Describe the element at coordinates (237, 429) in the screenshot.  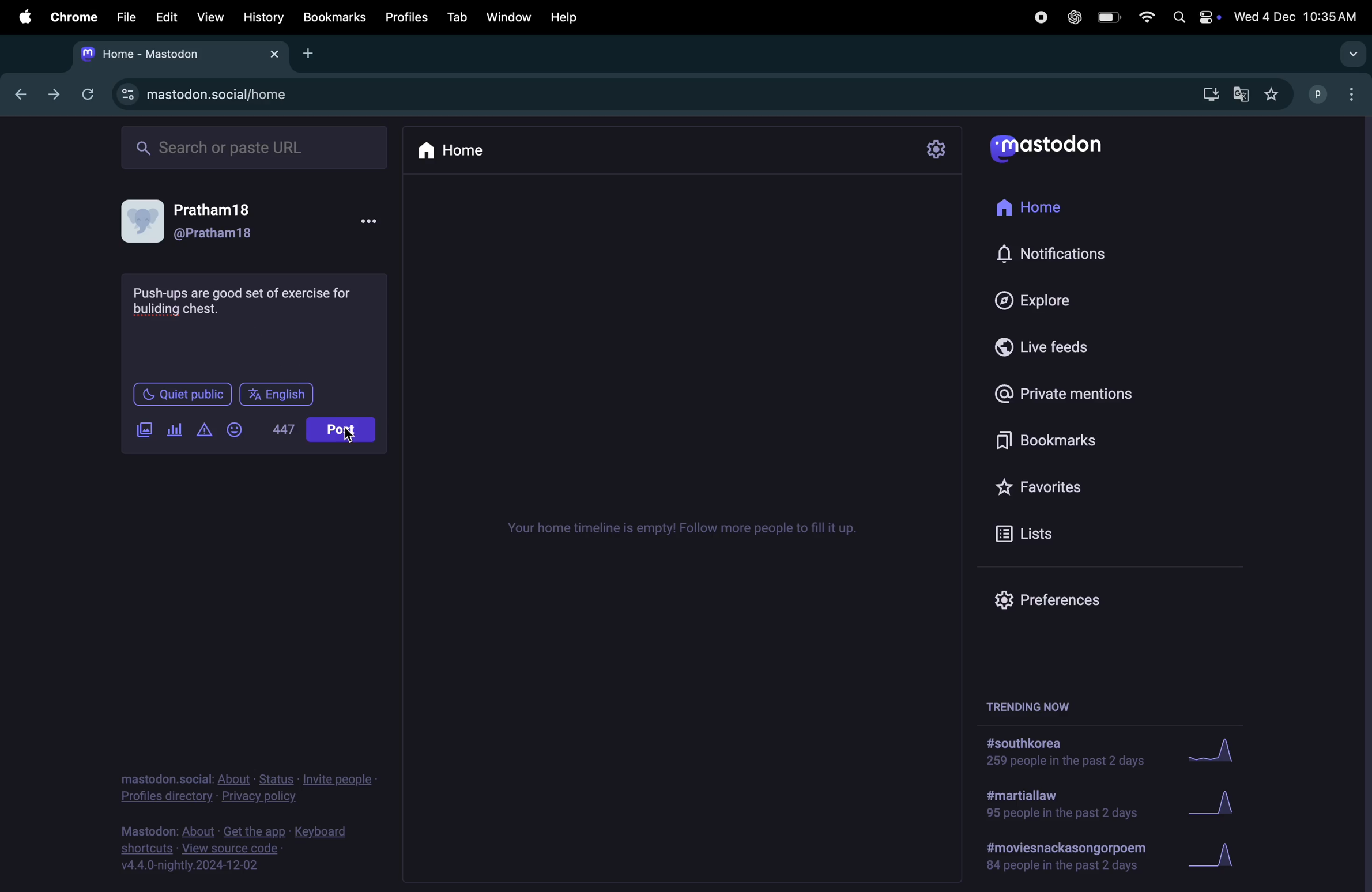
I see `emojis` at that location.